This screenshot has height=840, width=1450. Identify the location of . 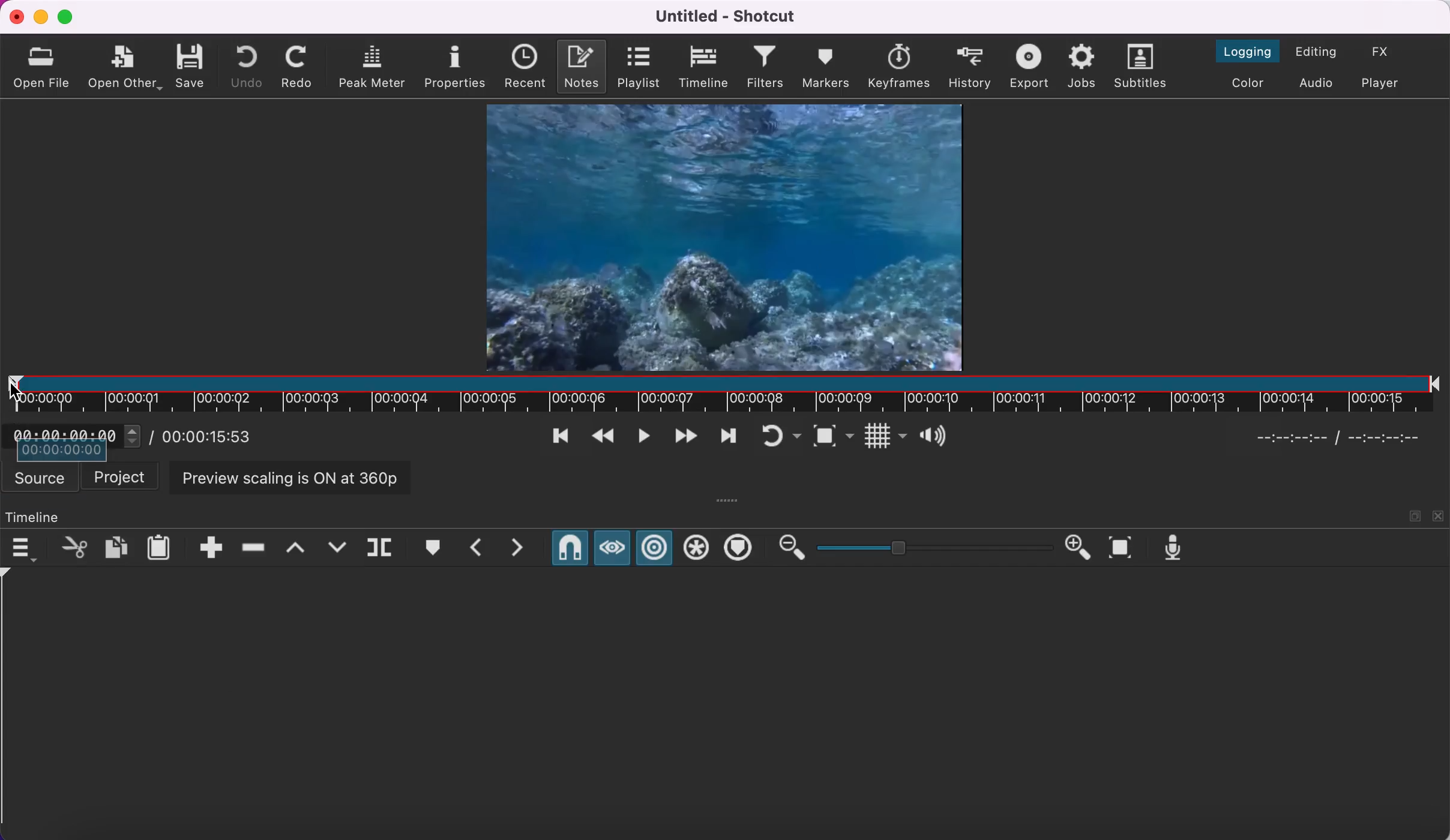
(933, 435).